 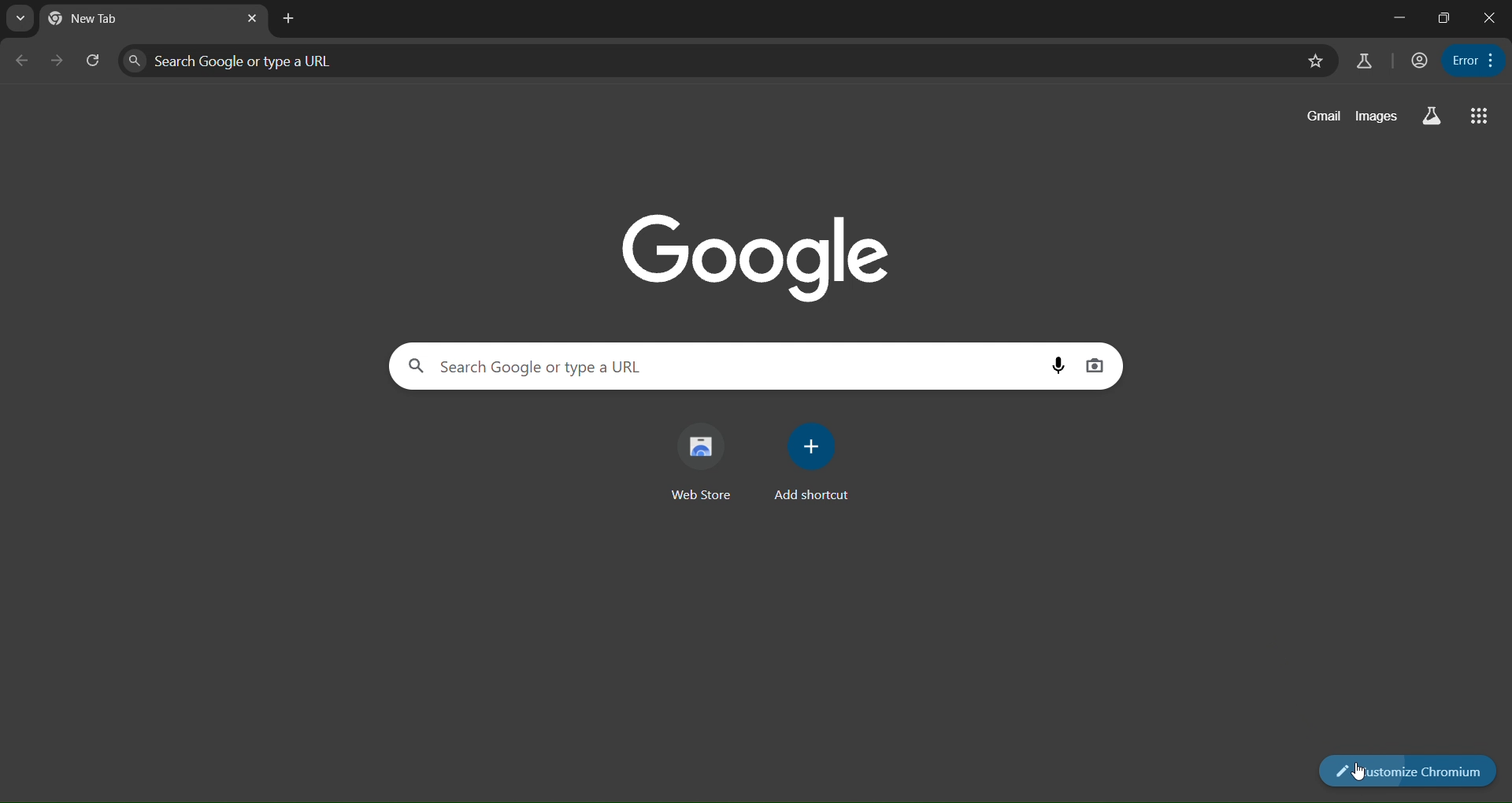 I want to click on menu, so click(x=1473, y=59).